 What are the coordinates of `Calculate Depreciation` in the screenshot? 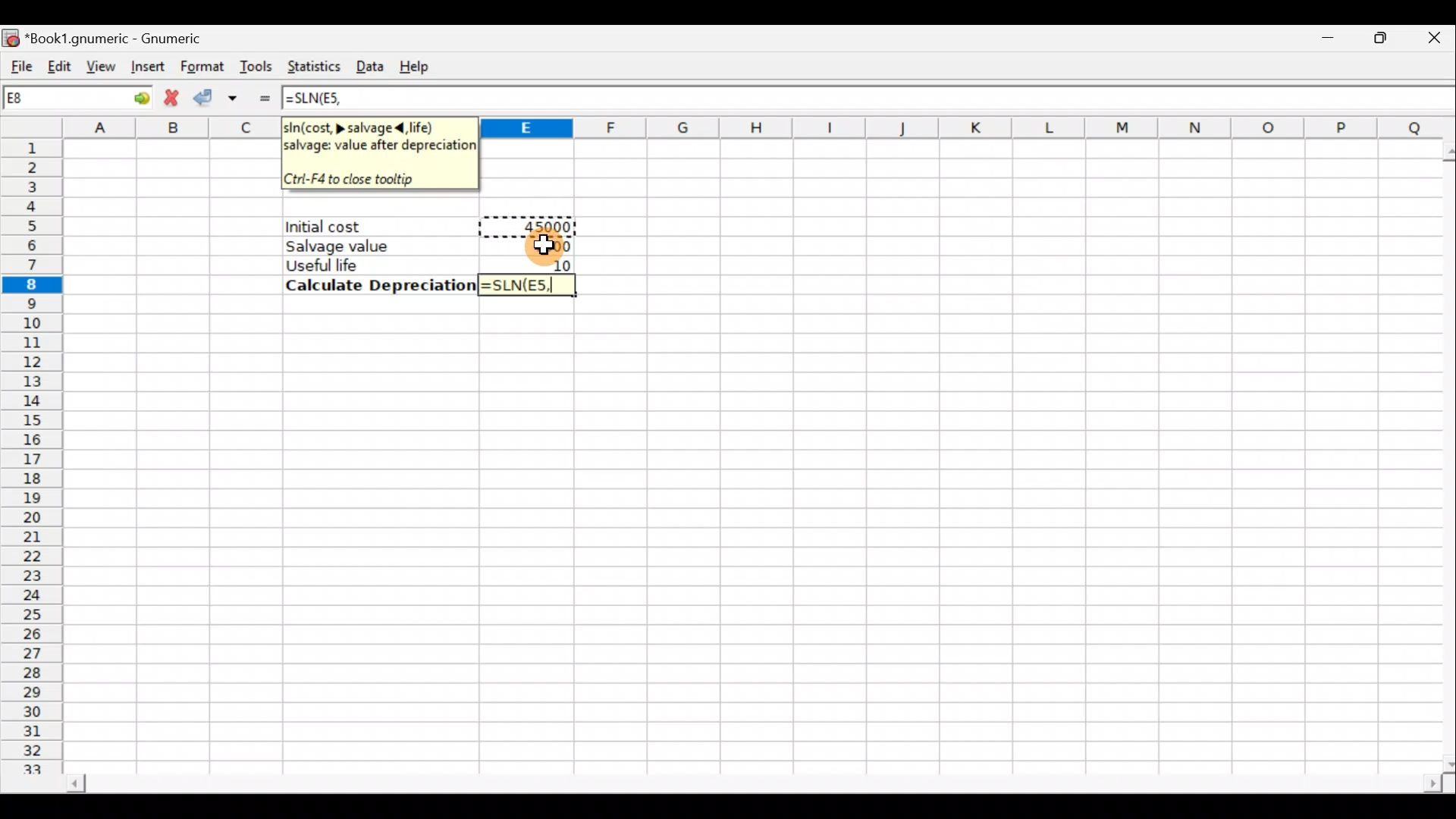 It's located at (376, 285).